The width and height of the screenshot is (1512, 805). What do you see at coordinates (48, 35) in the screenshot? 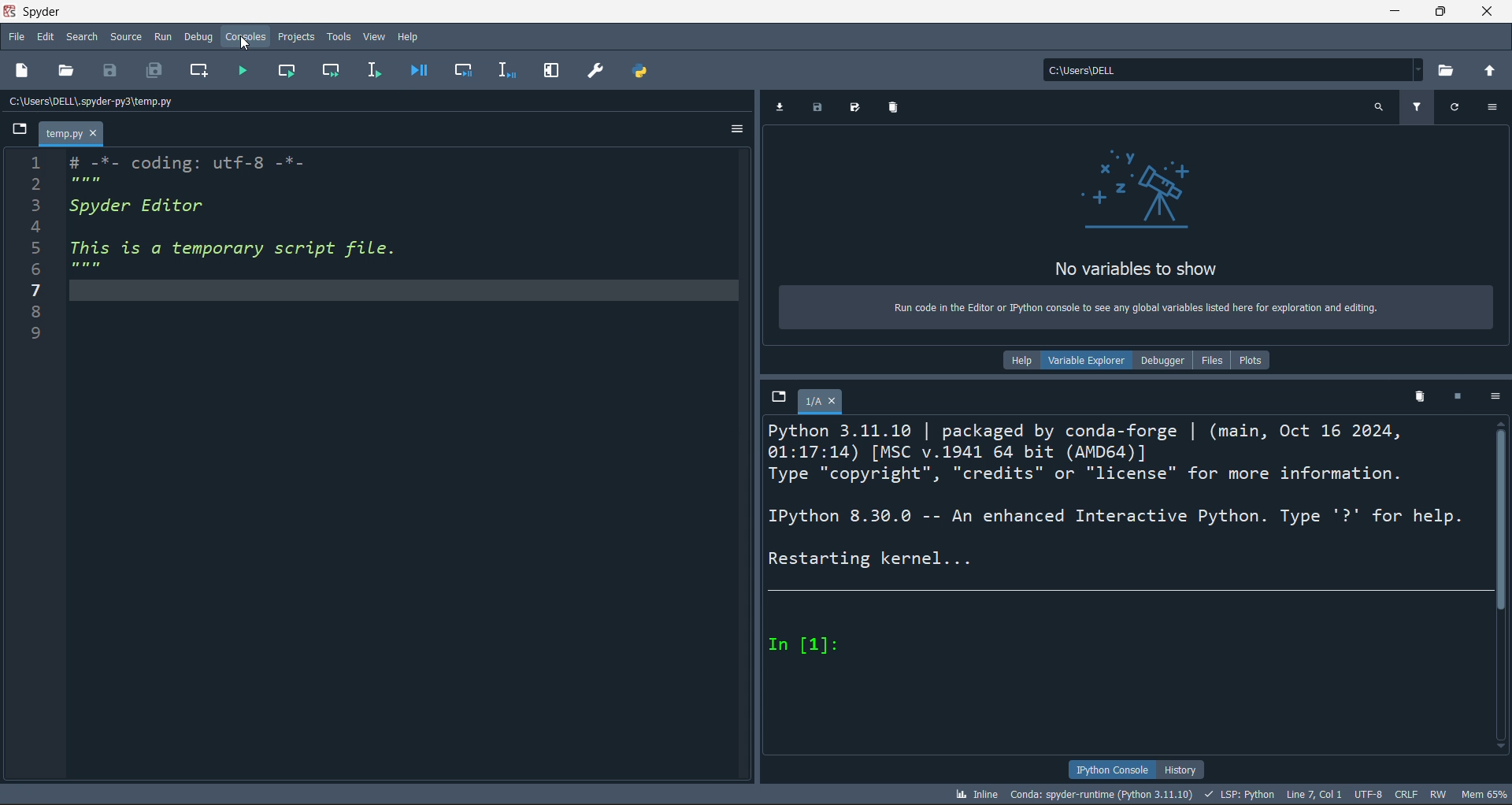
I see `edit` at bounding box center [48, 35].